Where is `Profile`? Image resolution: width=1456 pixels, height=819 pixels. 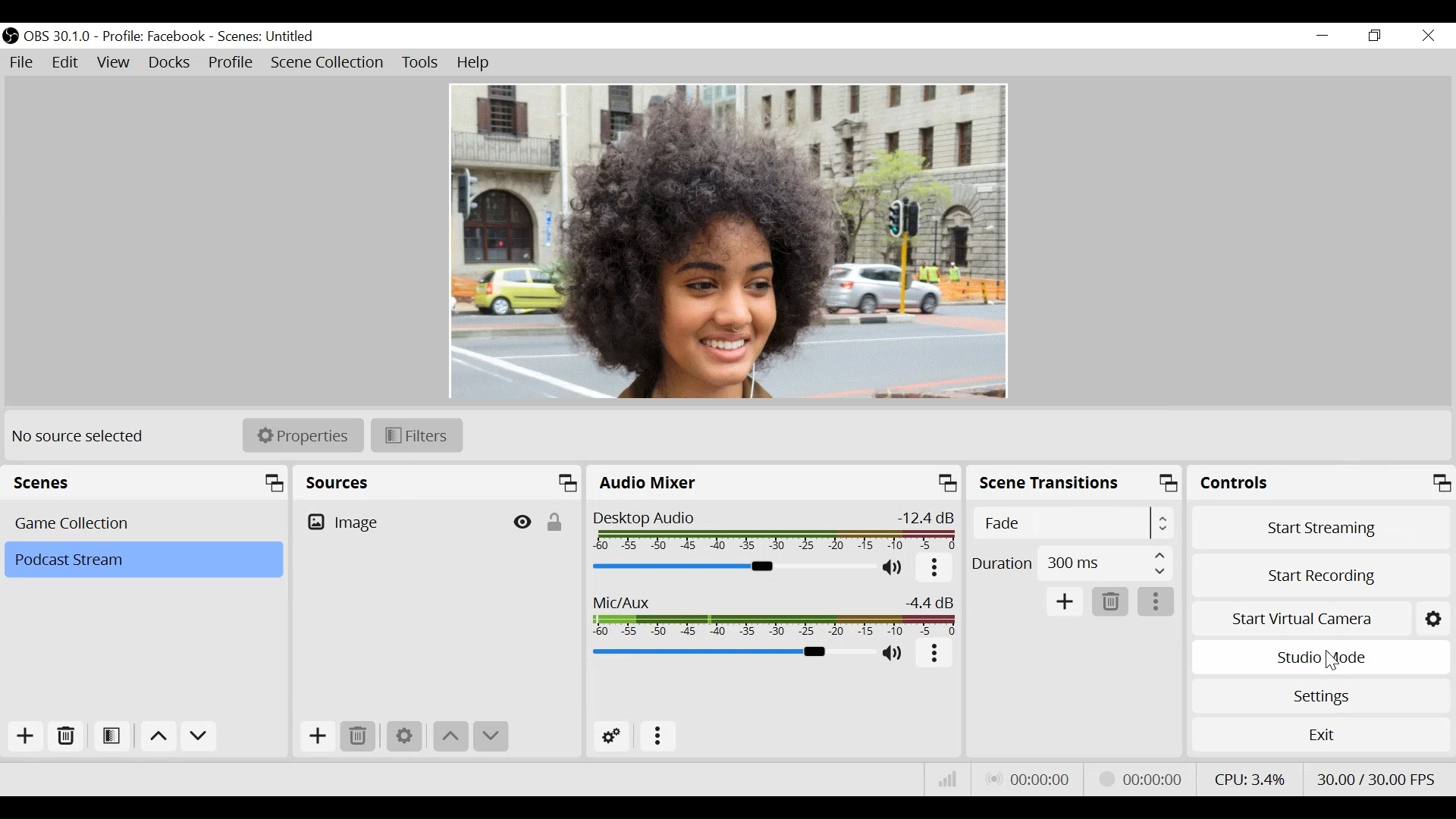 Profile is located at coordinates (231, 63).